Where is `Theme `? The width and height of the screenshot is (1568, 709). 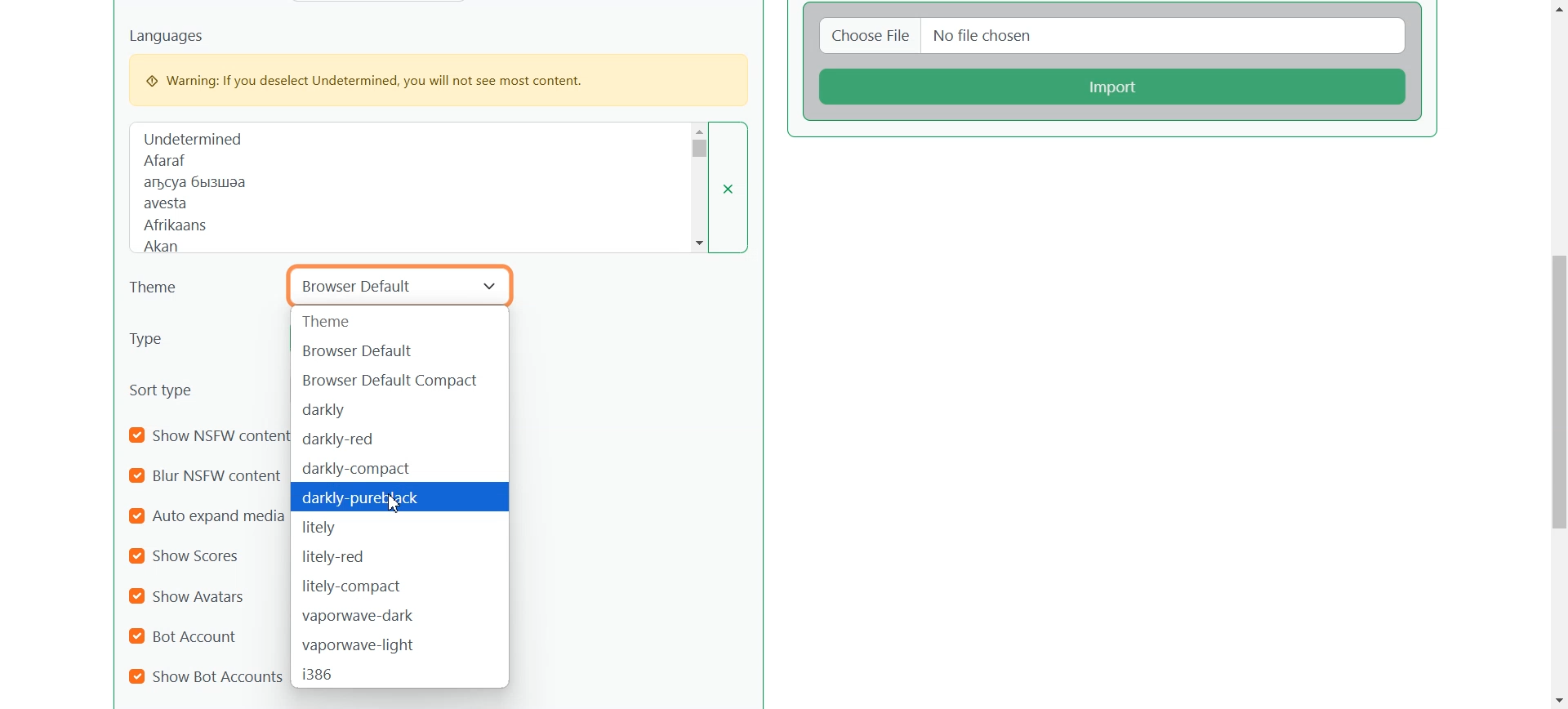
Theme  is located at coordinates (163, 288).